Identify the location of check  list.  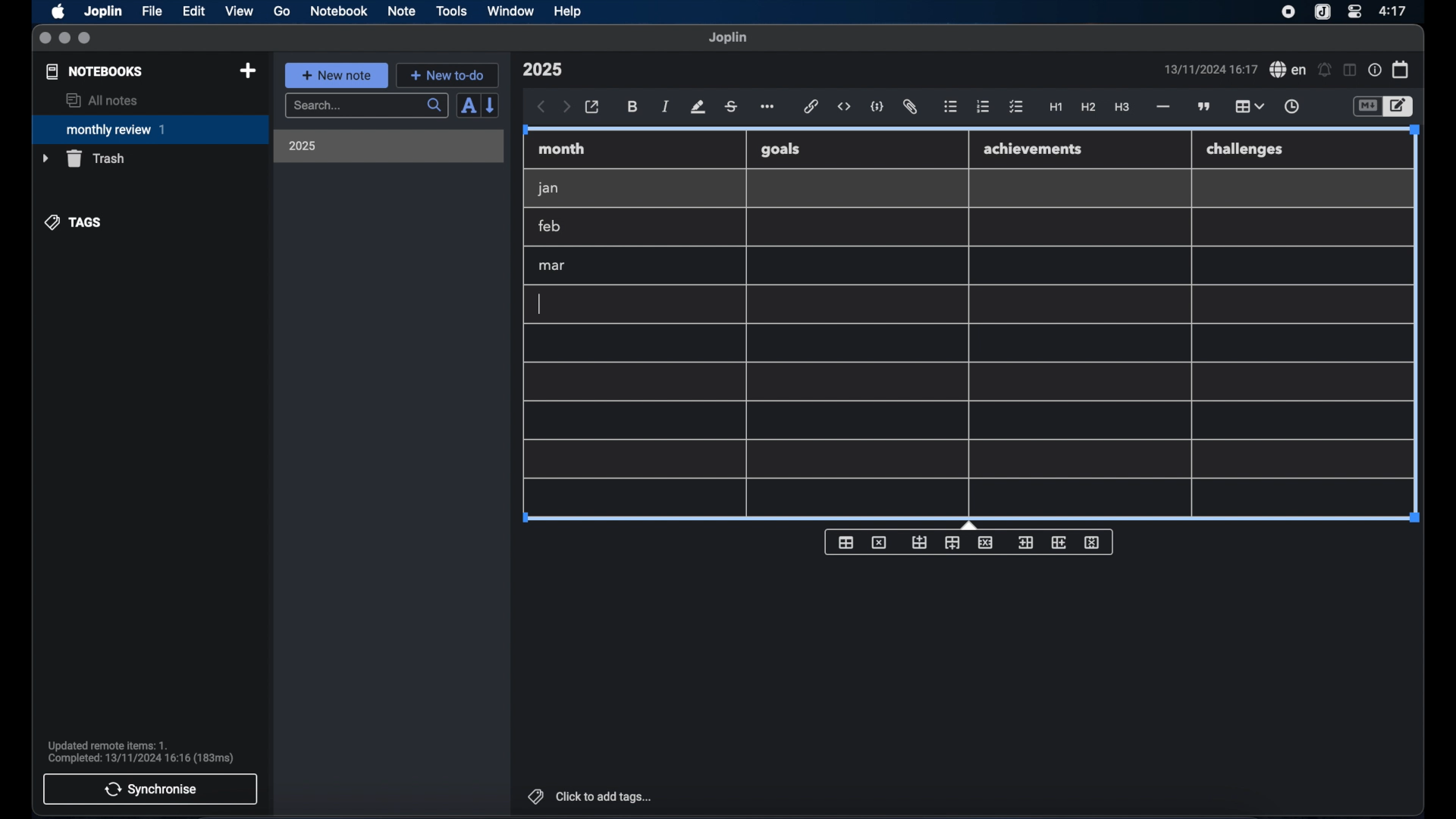
(1016, 108).